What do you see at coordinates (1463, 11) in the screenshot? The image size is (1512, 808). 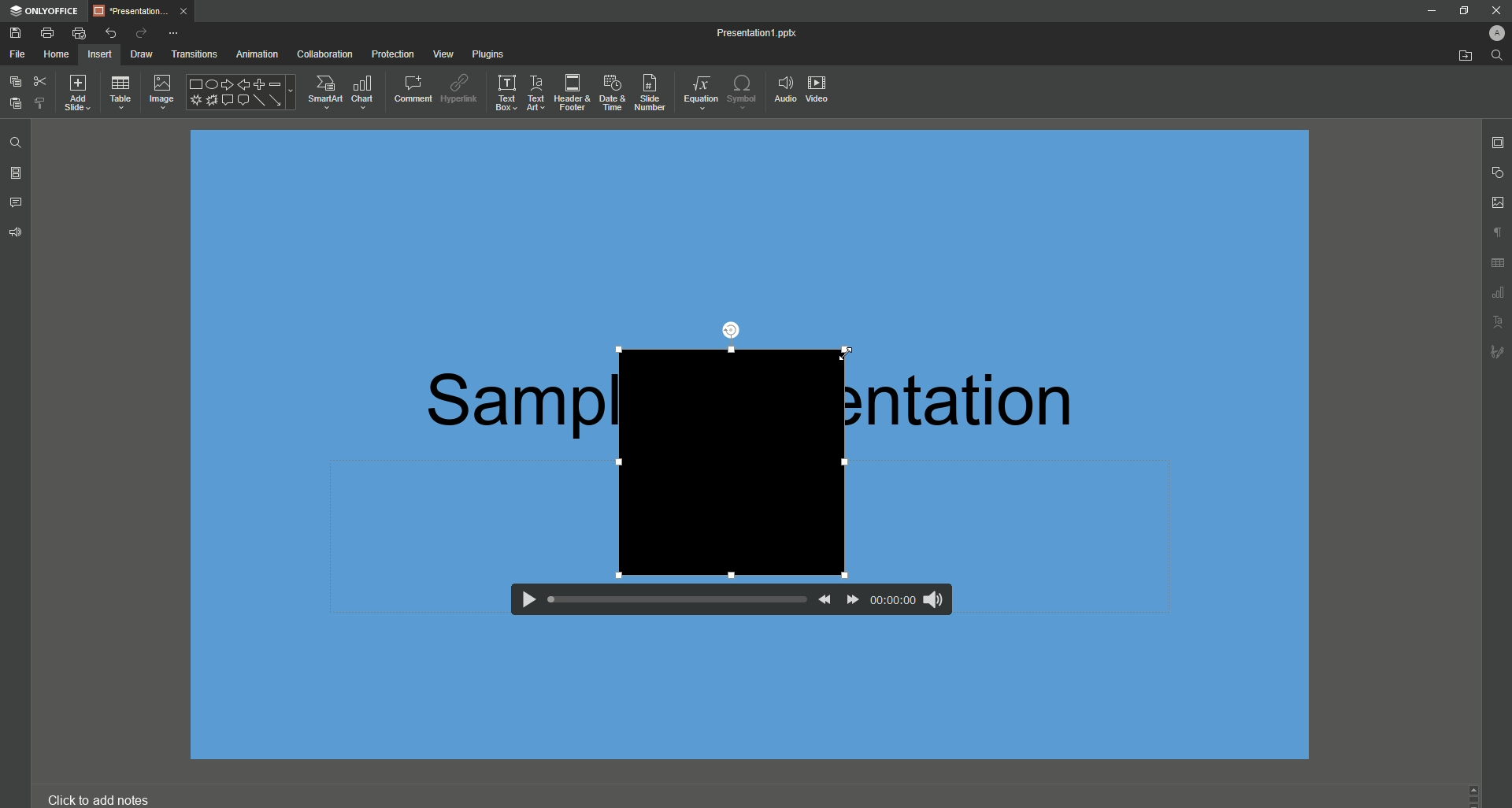 I see `Restore` at bounding box center [1463, 11].